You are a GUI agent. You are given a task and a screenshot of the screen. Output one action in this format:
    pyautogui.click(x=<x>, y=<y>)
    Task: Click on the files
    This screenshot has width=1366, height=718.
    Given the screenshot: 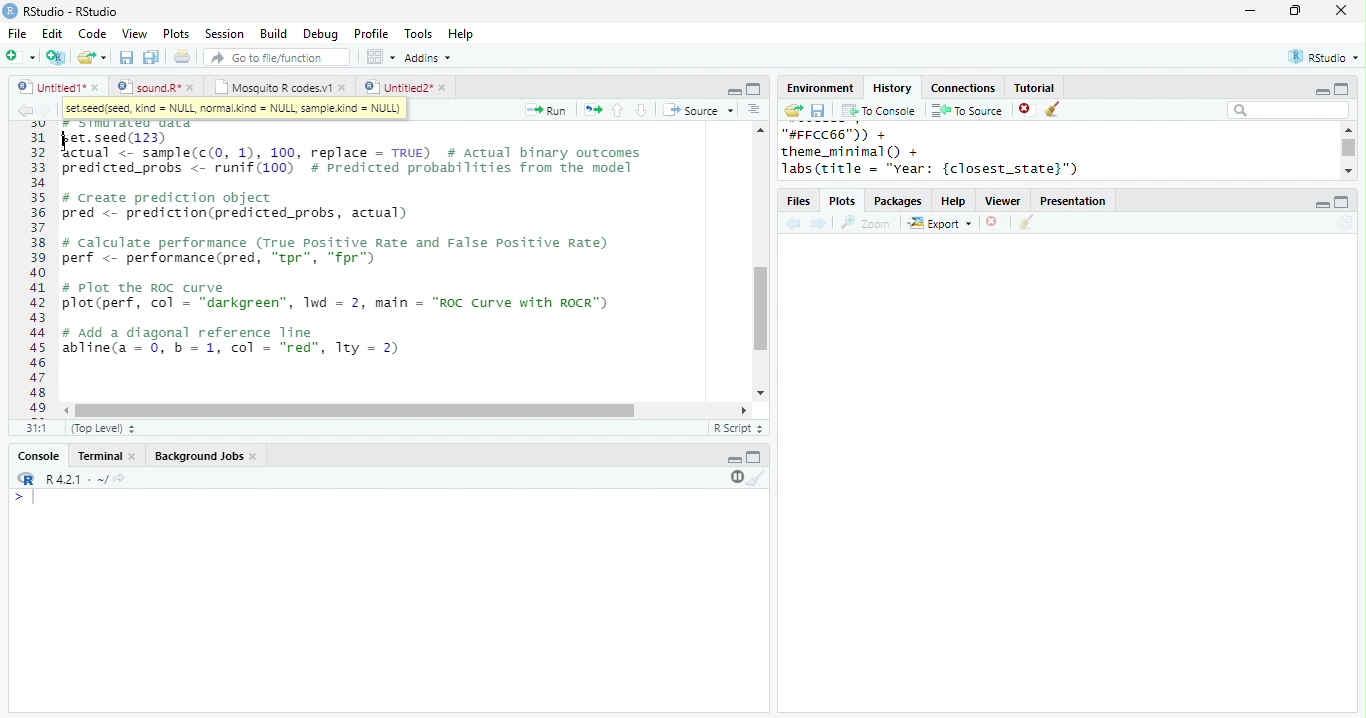 What is the action you would take?
    pyautogui.click(x=800, y=202)
    